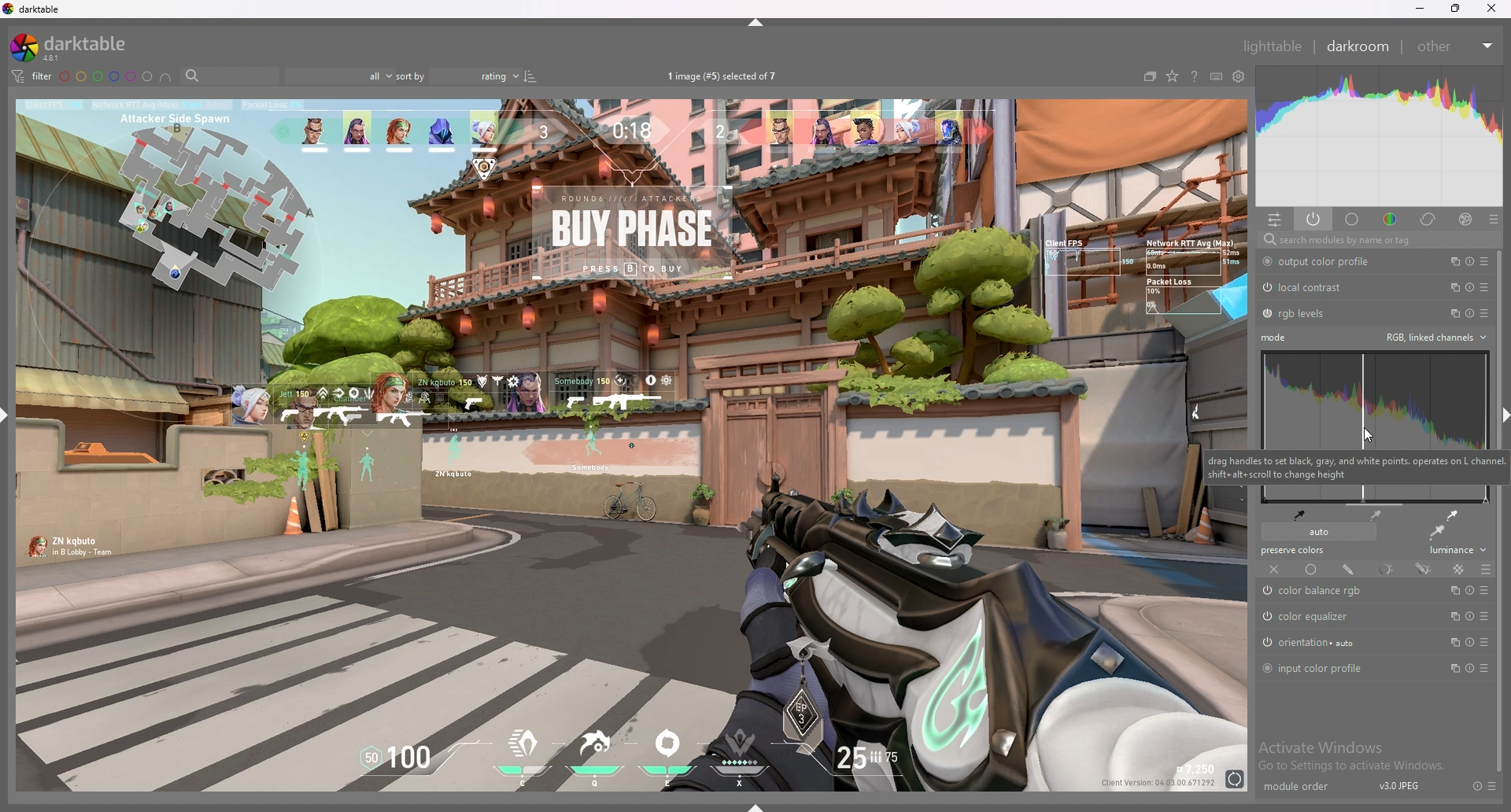 The width and height of the screenshot is (1511, 812). Describe the element at coordinates (1329, 261) in the screenshot. I see `output color profile` at that location.